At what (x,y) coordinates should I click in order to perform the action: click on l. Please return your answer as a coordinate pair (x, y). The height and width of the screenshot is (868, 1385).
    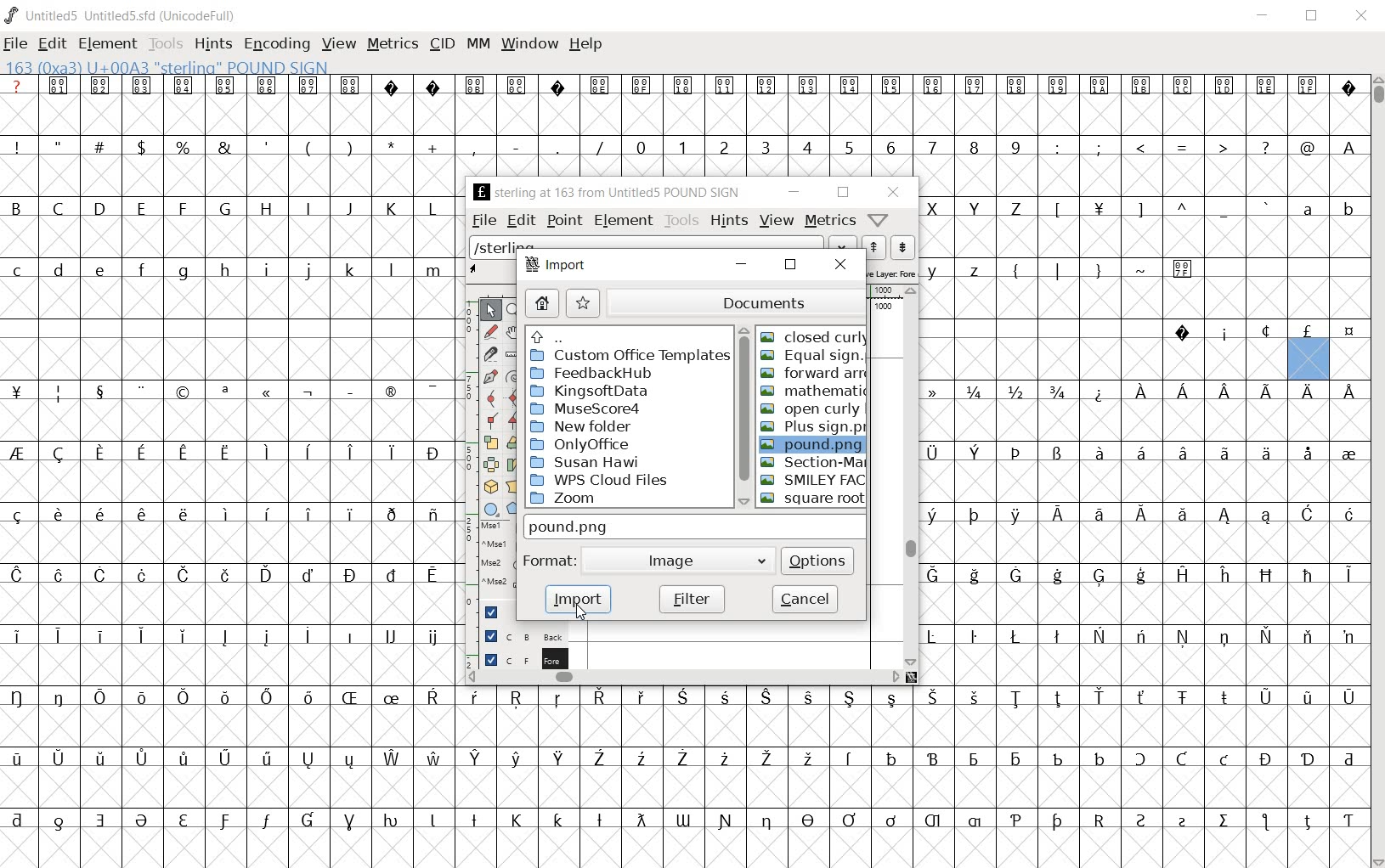
    Looking at the image, I should click on (392, 269).